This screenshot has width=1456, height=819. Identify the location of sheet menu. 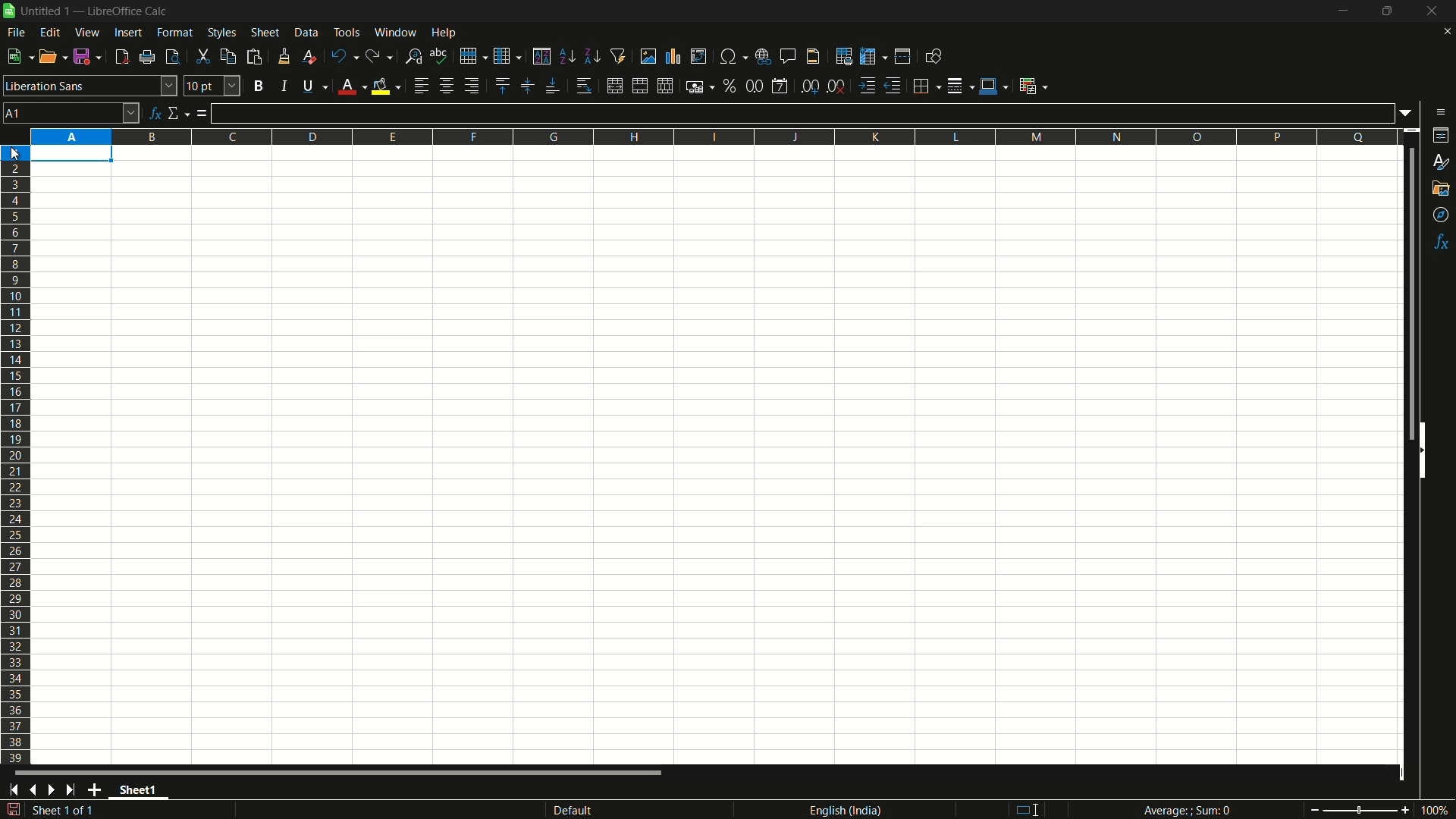
(265, 33).